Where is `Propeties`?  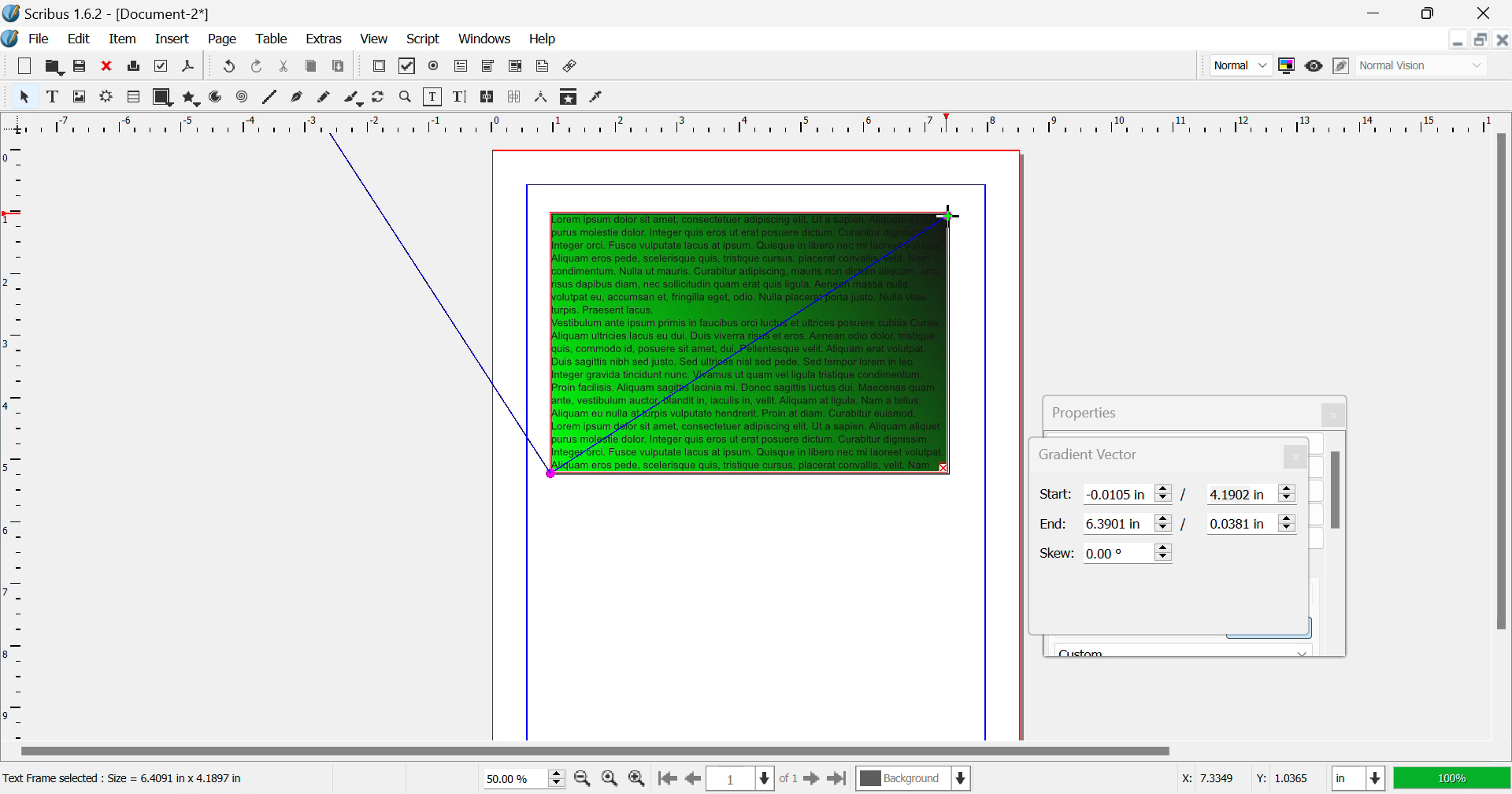 Propeties is located at coordinates (1102, 410).